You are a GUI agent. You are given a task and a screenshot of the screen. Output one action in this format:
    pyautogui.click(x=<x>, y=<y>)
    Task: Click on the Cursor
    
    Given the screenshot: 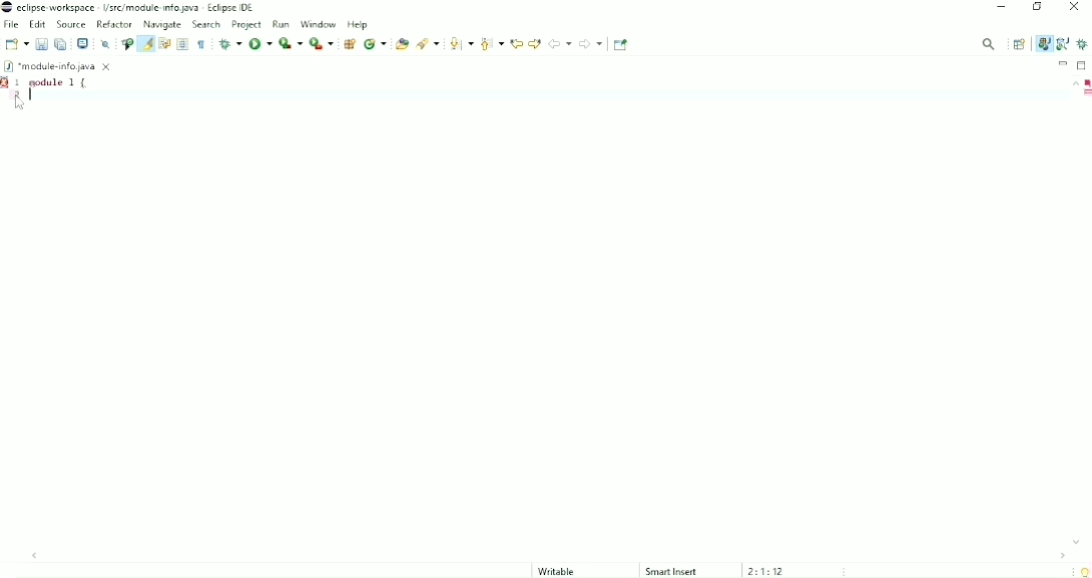 What is the action you would take?
    pyautogui.click(x=20, y=101)
    